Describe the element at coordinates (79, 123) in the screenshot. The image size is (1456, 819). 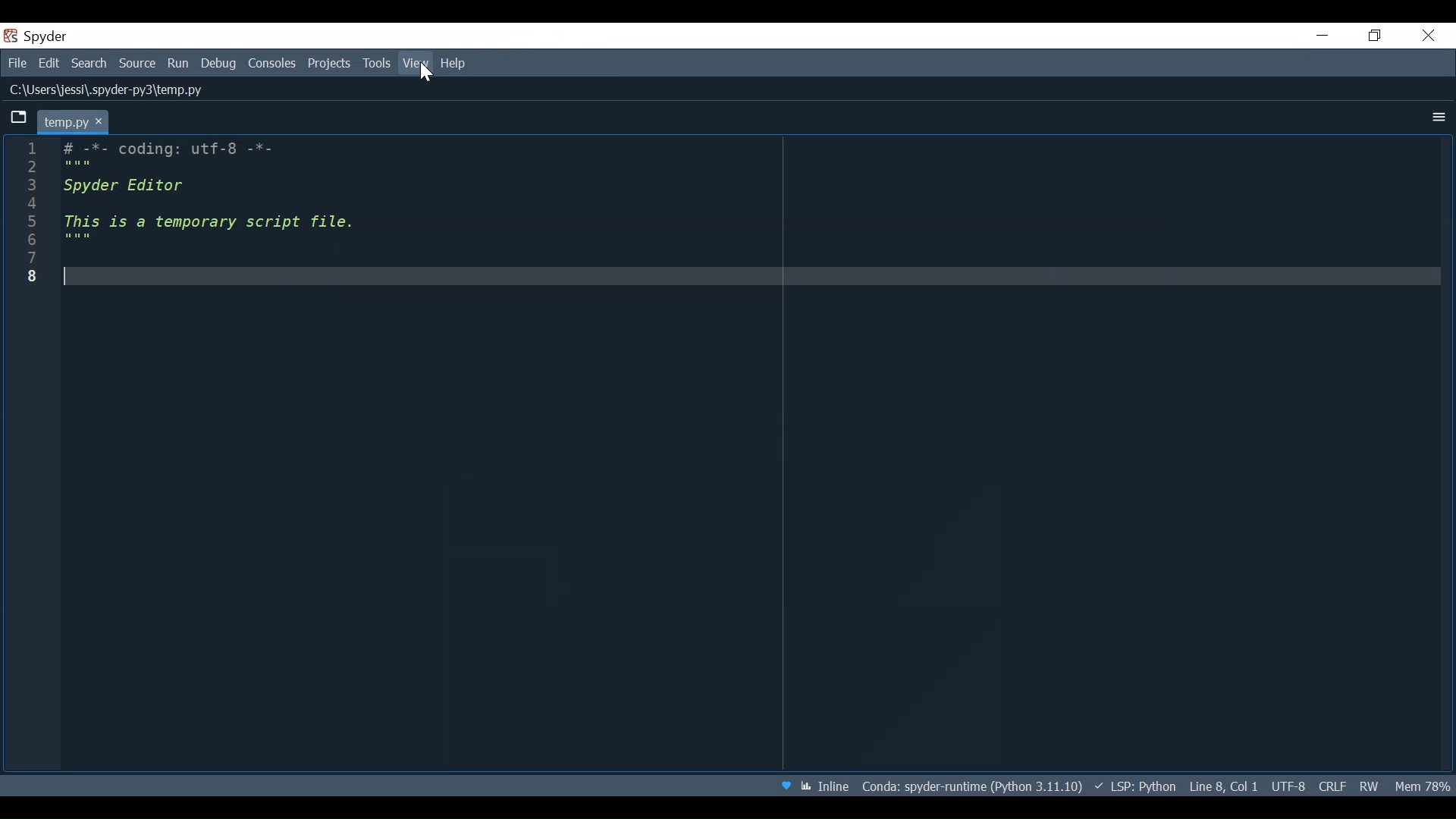
I see `temp.py X` at that location.